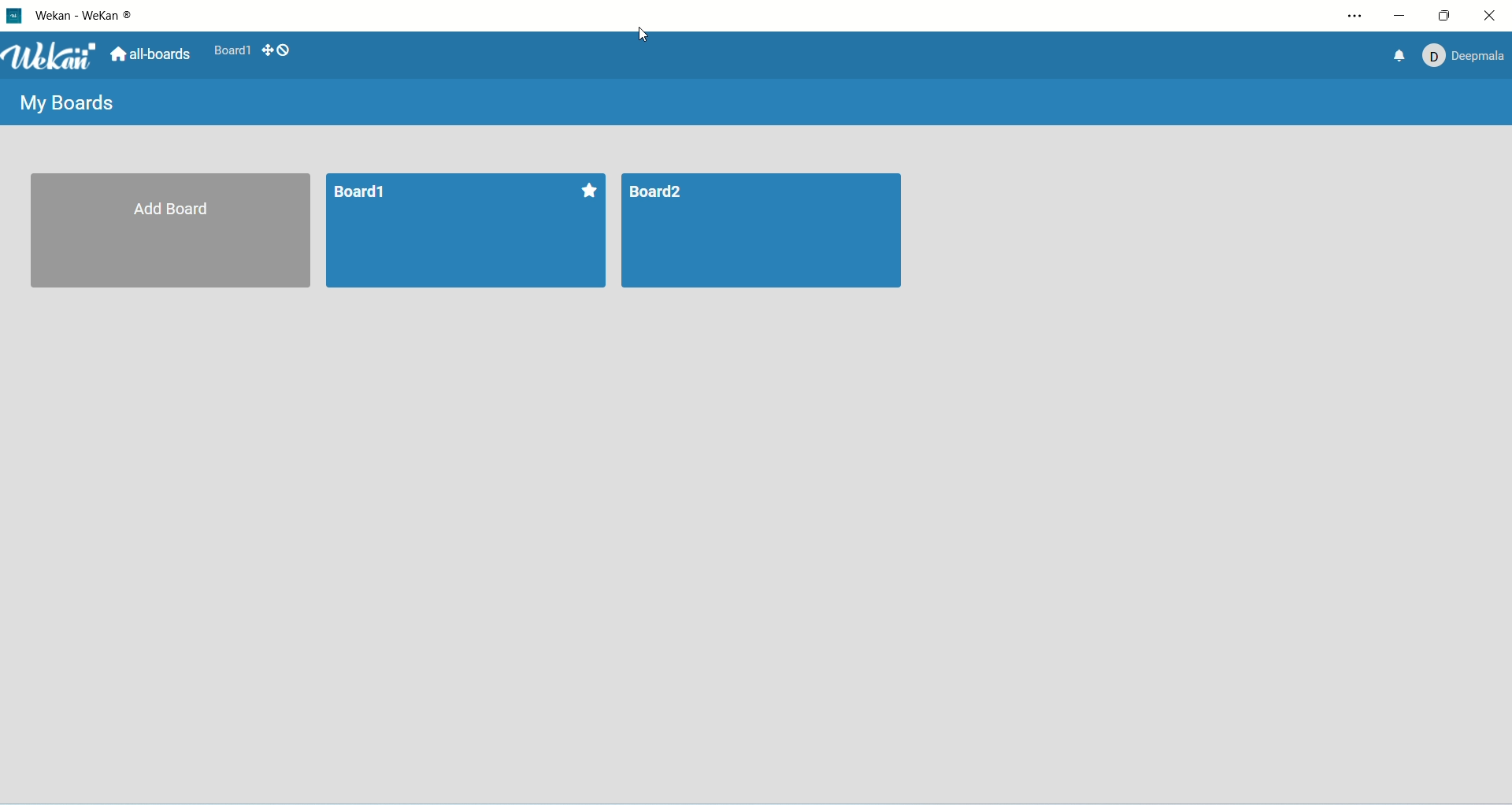 This screenshot has width=1512, height=805. I want to click on board1, so click(233, 49).